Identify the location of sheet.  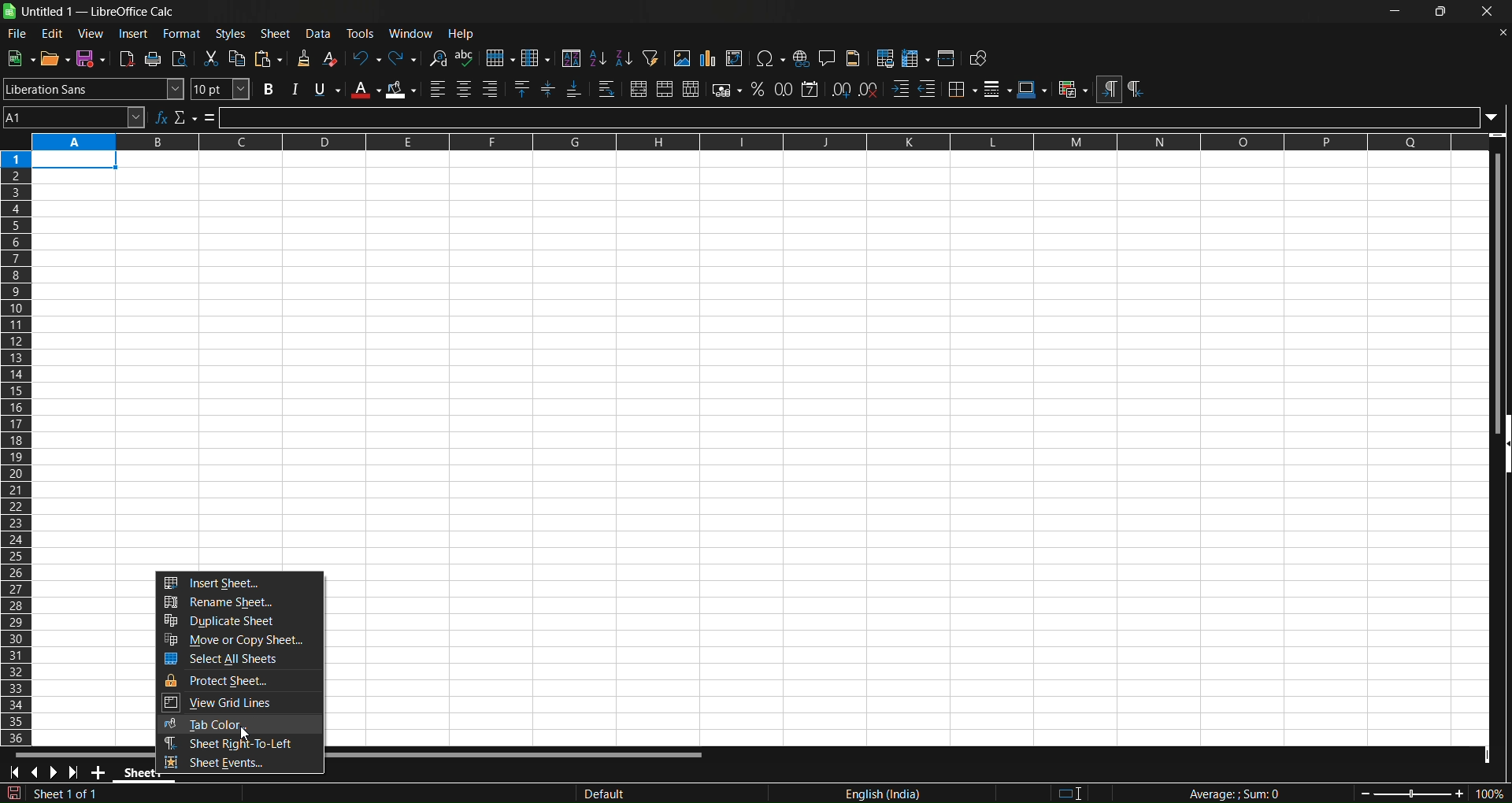
(277, 33).